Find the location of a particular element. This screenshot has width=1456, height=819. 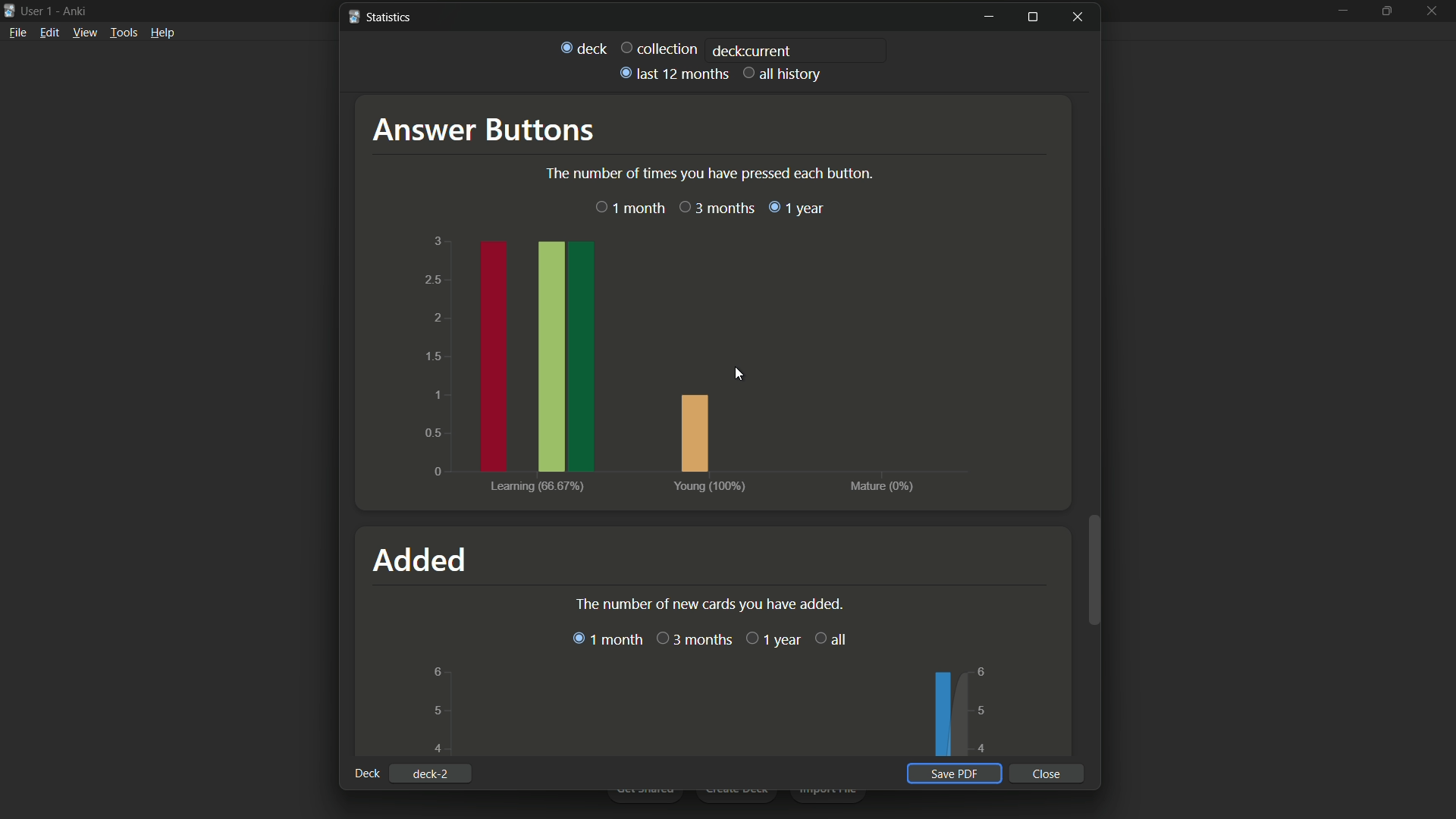

Tools is located at coordinates (124, 35).